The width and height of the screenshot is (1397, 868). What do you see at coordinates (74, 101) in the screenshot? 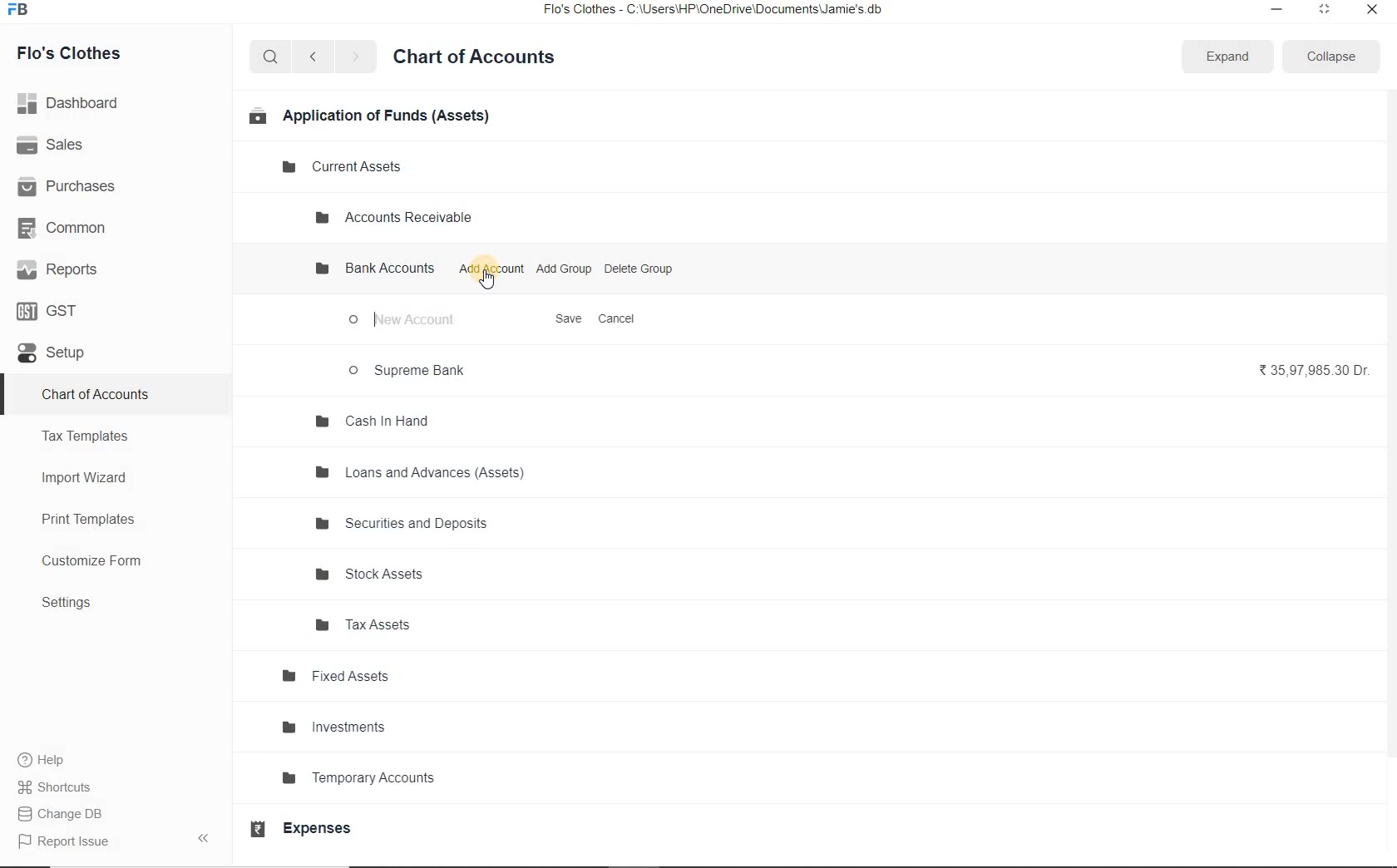
I see `Dashboard` at bounding box center [74, 101].